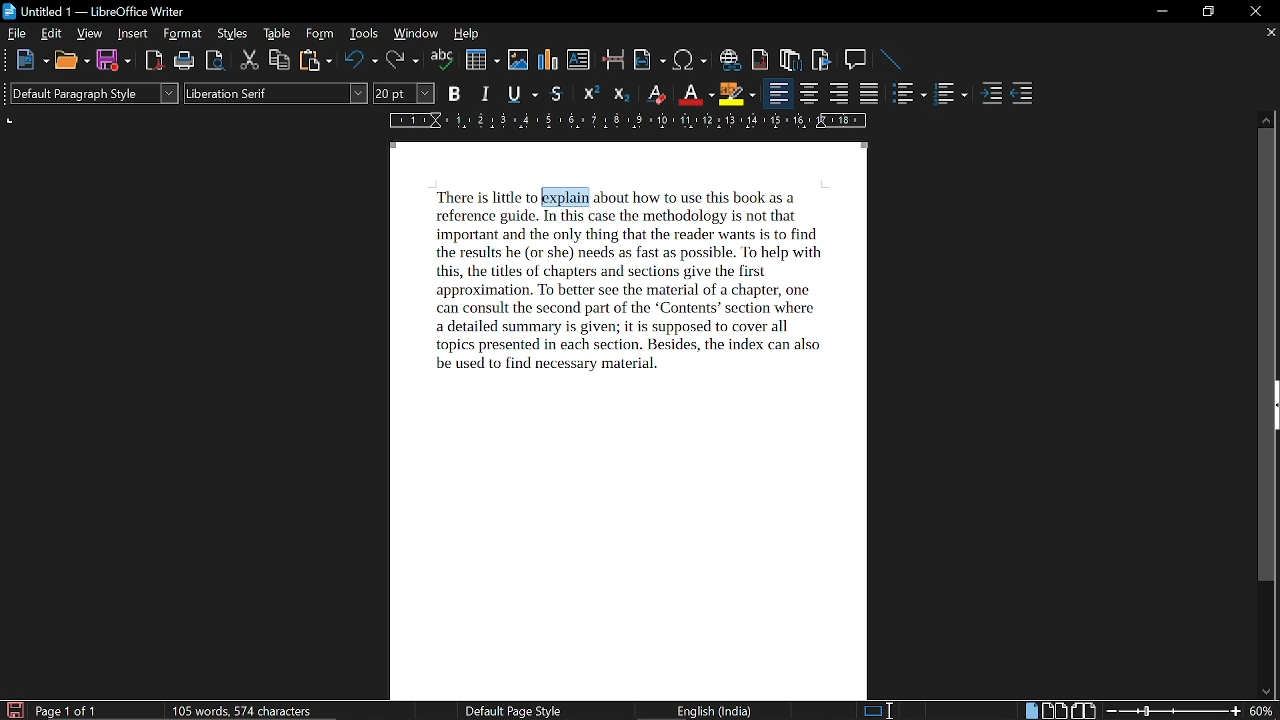 Image resolution: width=1280 pixels, height=720 pixels. What do you see at coordinates (1270, 357) in the screenshot?
I see `vertical scrollbar` at bounding box center [1270, 357].